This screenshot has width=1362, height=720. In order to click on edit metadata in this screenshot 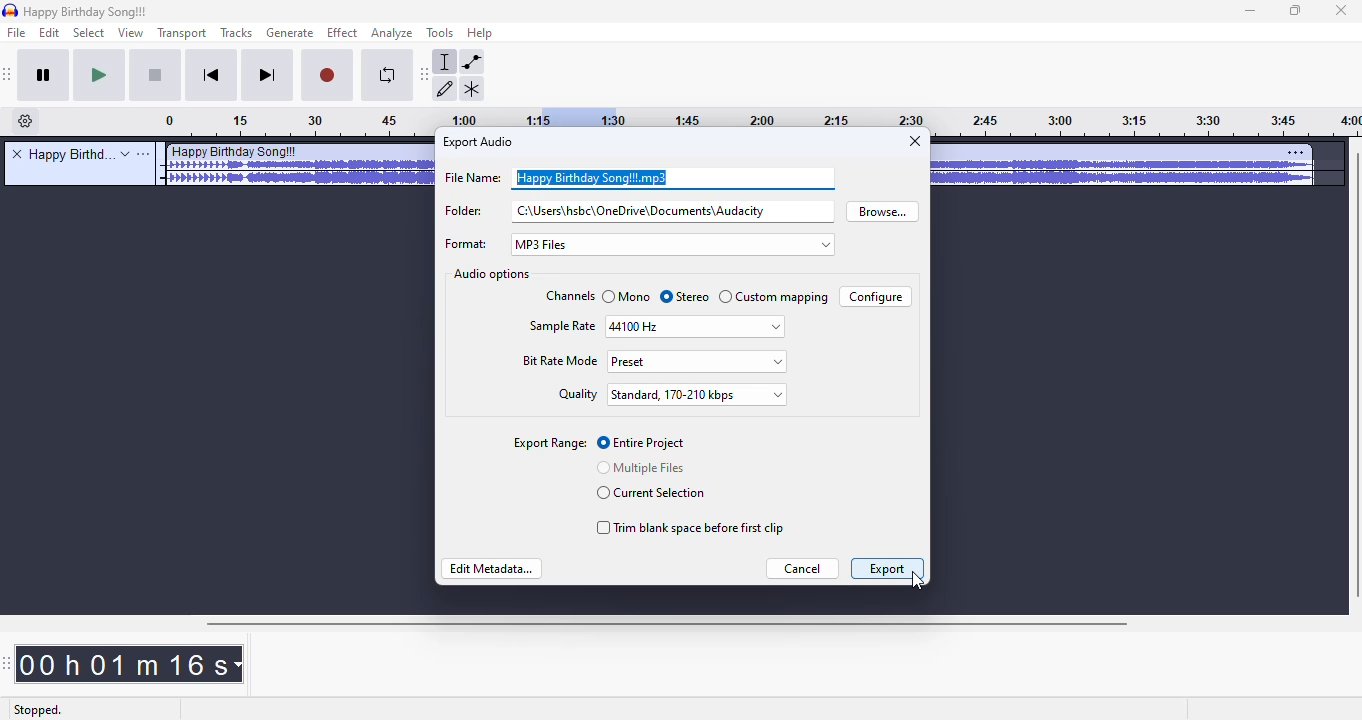, I will do `click(491, 569)`.